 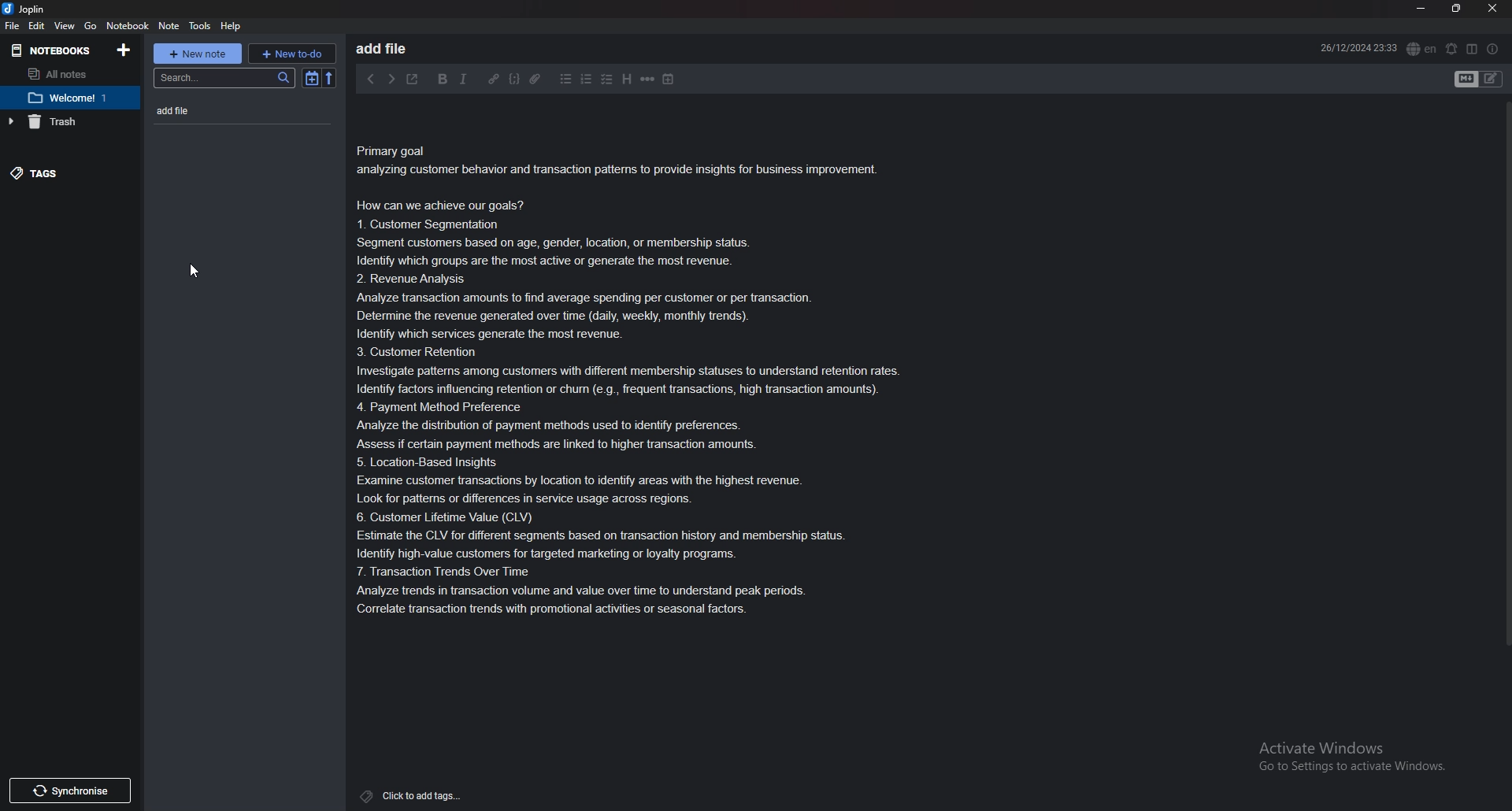 I want to click on go, so click(x=91, y=24).